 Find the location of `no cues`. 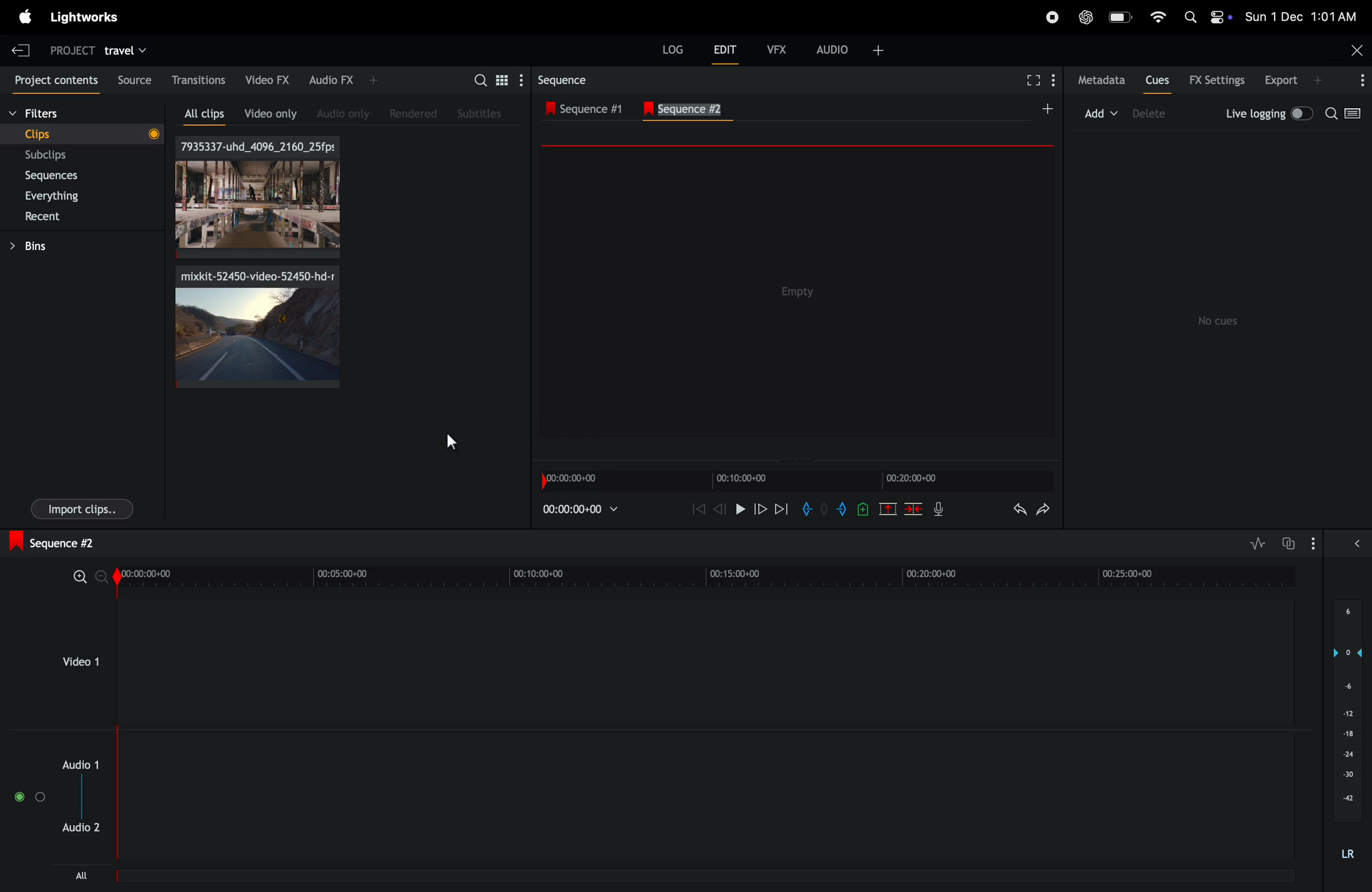

no cues is located at coordinates (1220, 321).